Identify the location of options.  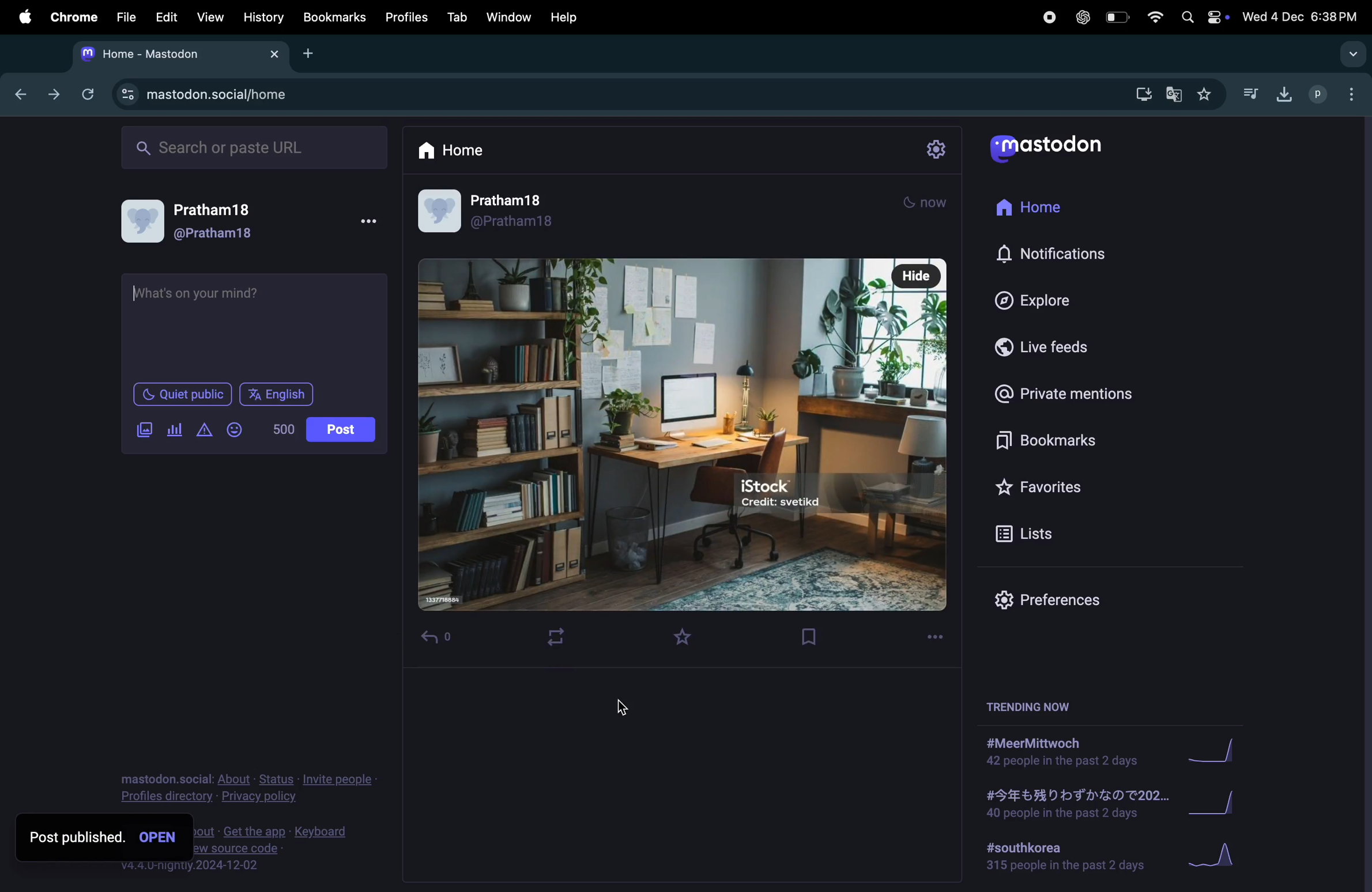
(940, 636).